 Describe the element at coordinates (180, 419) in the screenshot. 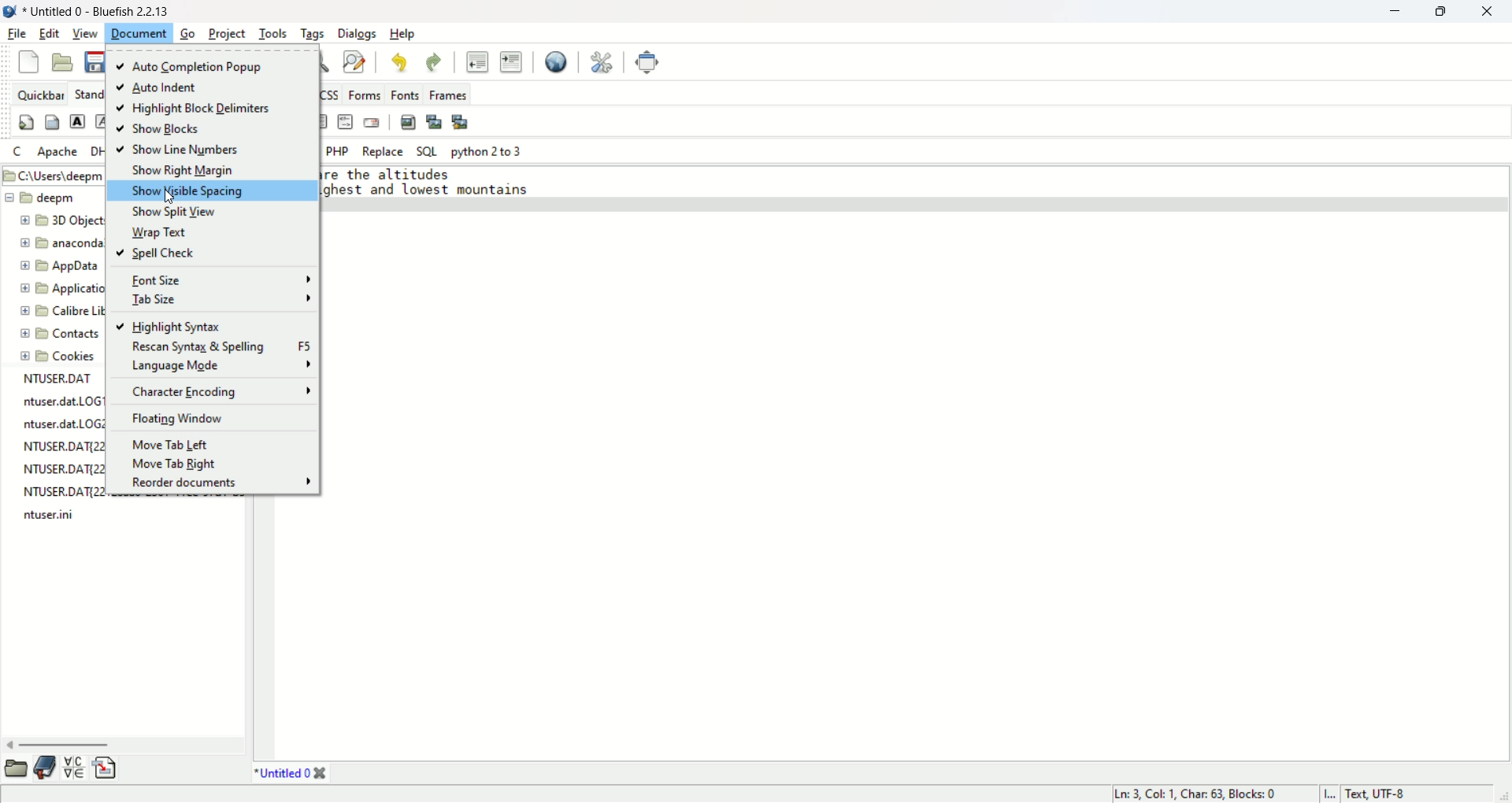

I see `floating window` at that location.